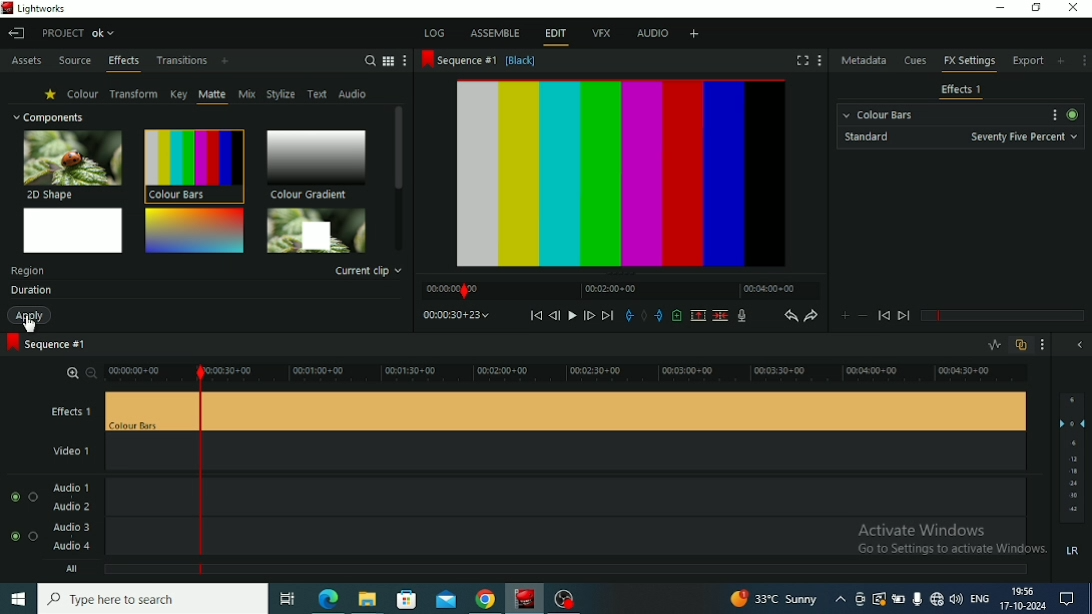  I want to click on Video 1, so click(100, 454).